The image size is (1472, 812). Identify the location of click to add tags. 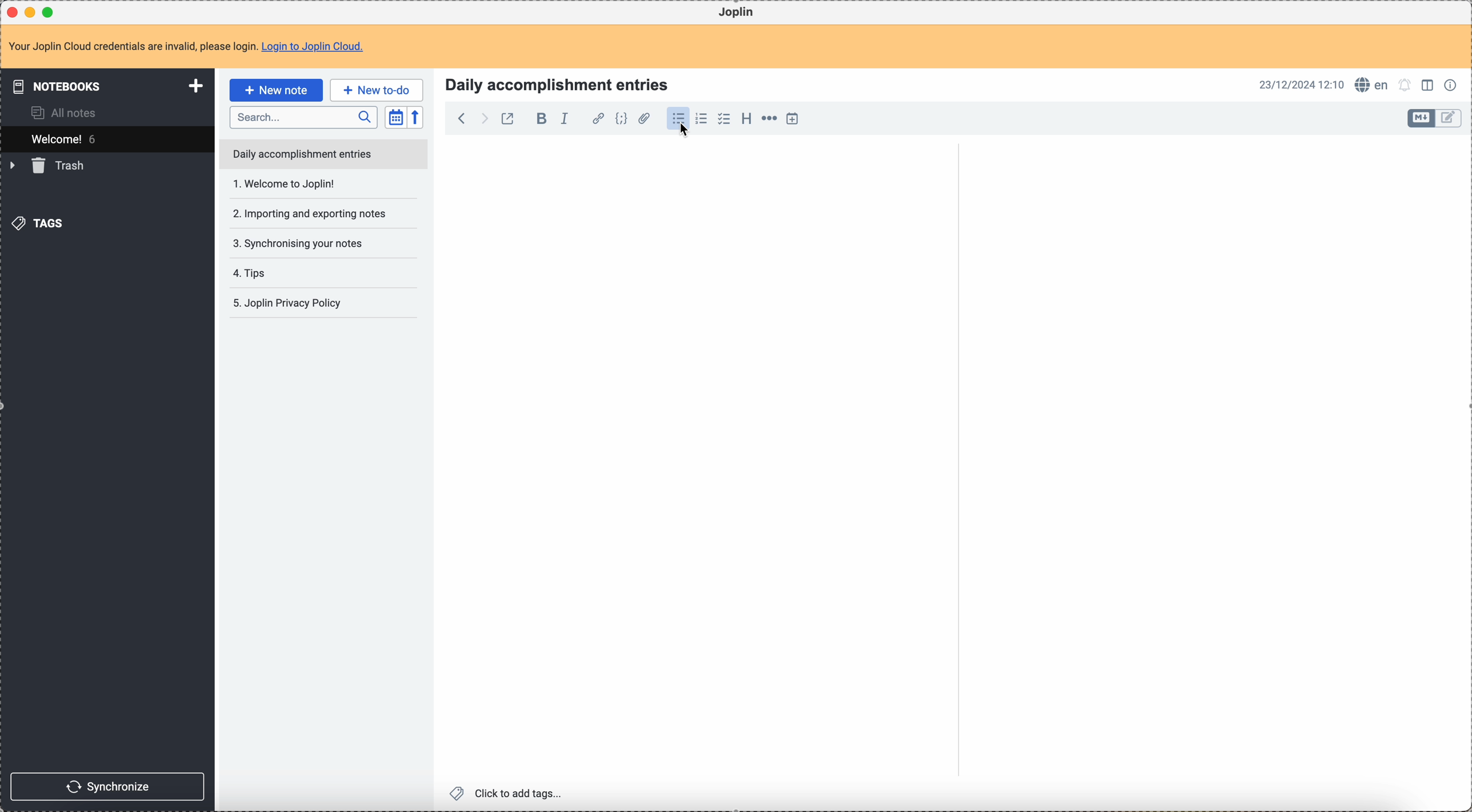
(508, 794).